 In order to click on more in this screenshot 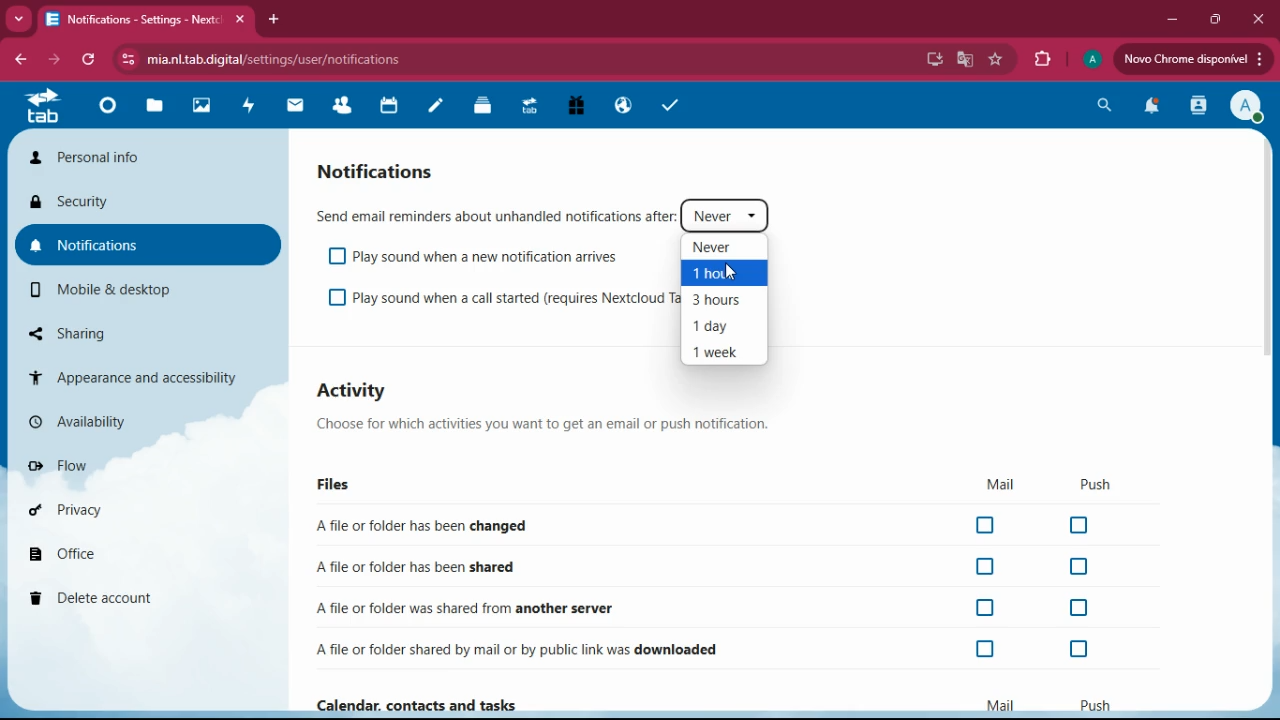, I will do `click(18, 21)`.